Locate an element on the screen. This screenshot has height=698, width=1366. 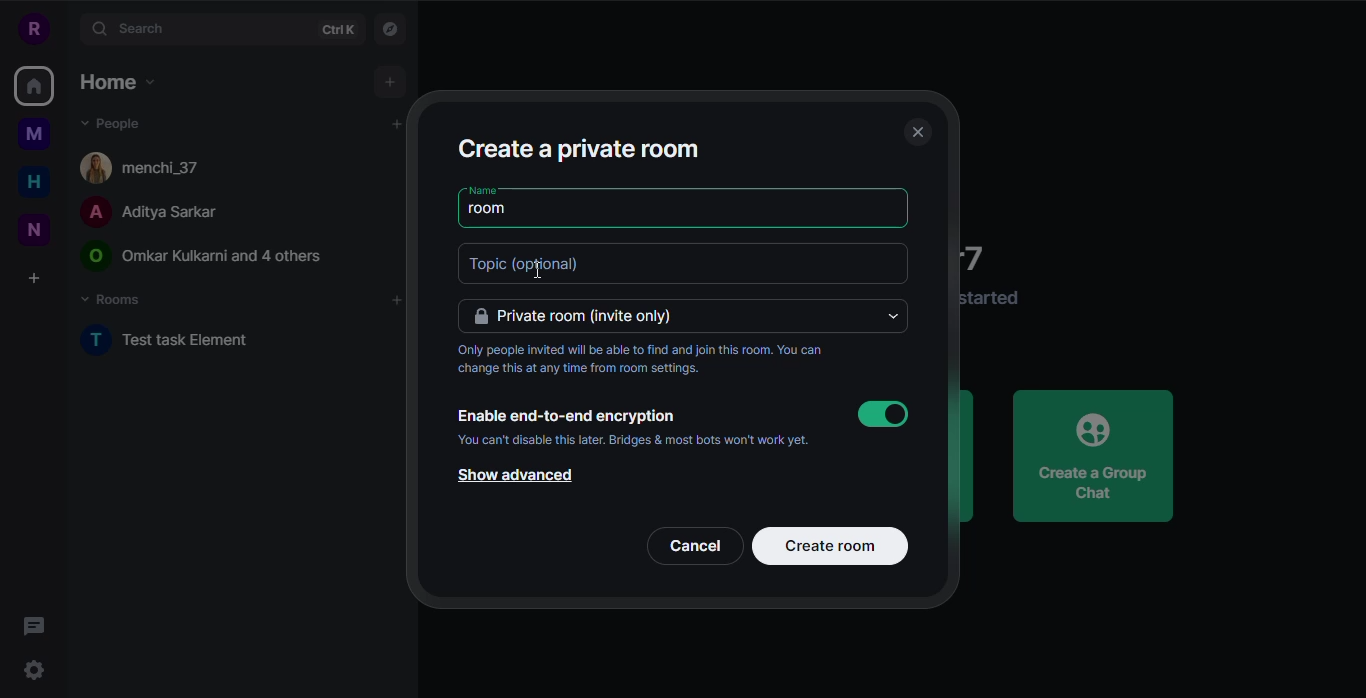
room is located at coordinates (494, 210).